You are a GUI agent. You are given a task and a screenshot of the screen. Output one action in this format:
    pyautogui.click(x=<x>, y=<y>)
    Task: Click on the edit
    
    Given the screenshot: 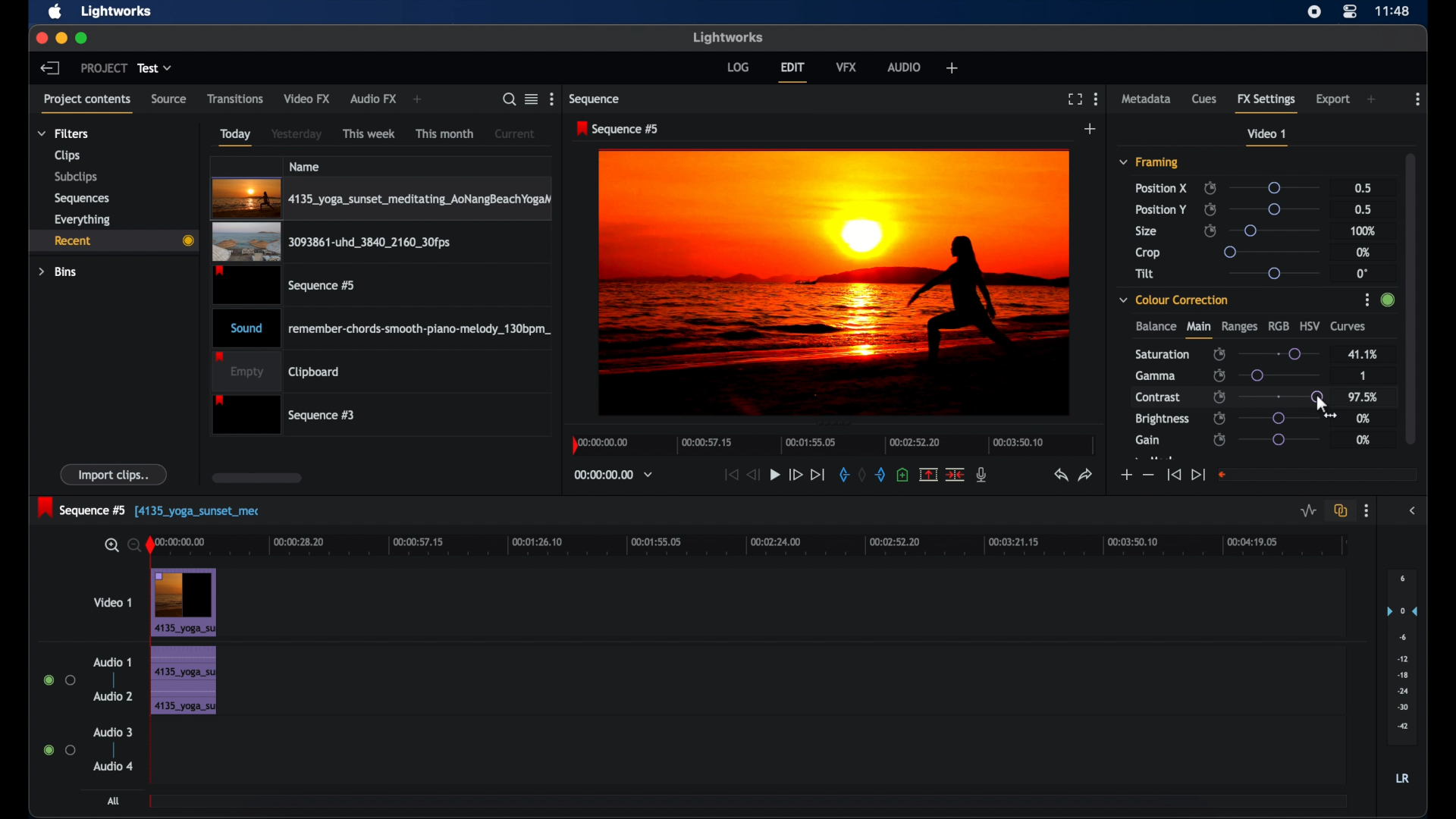 What is the action you would take?
    pyautogui.click(x=792, y=72)
    